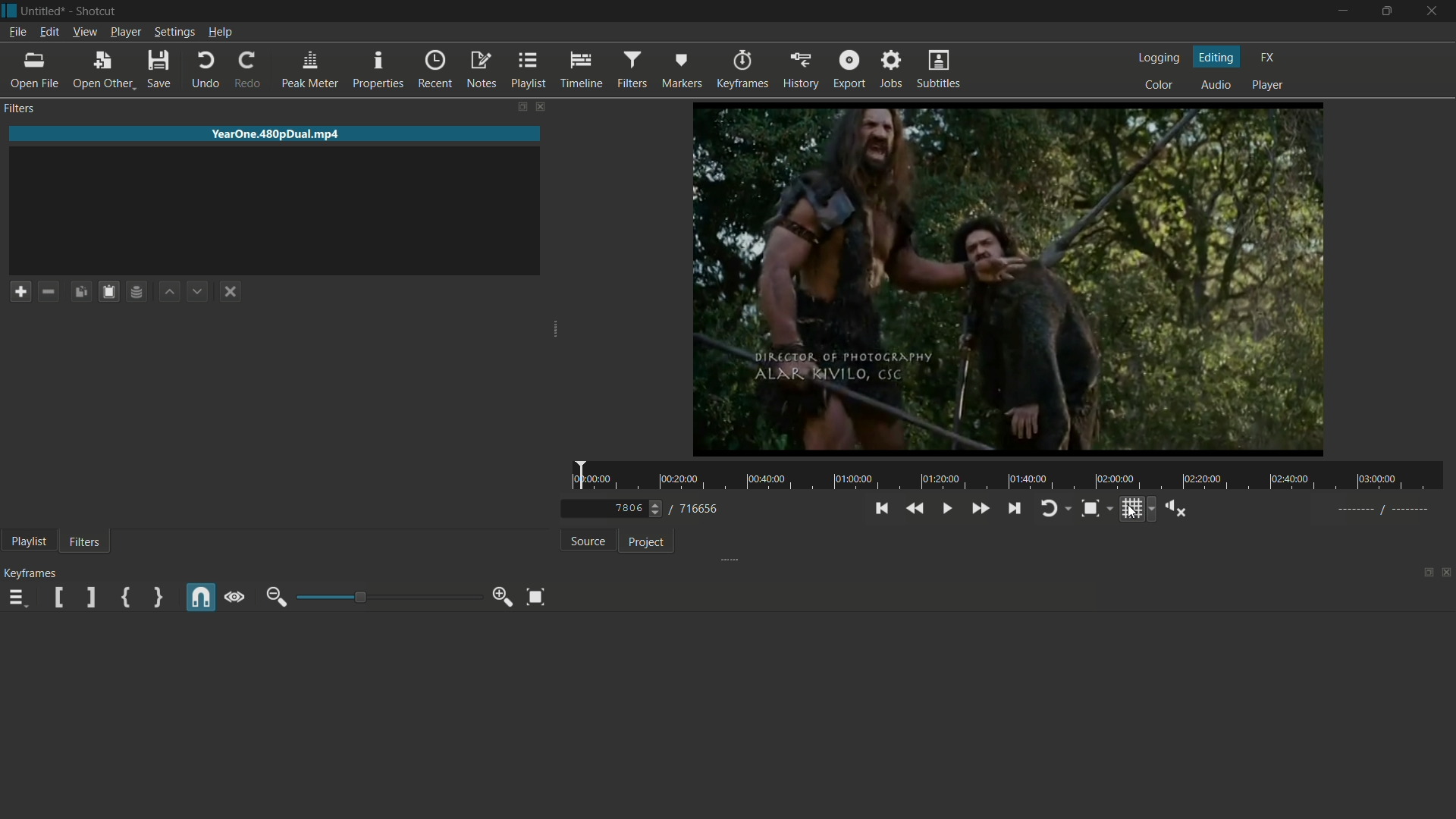  I want to click on open other, so click(103, 70).